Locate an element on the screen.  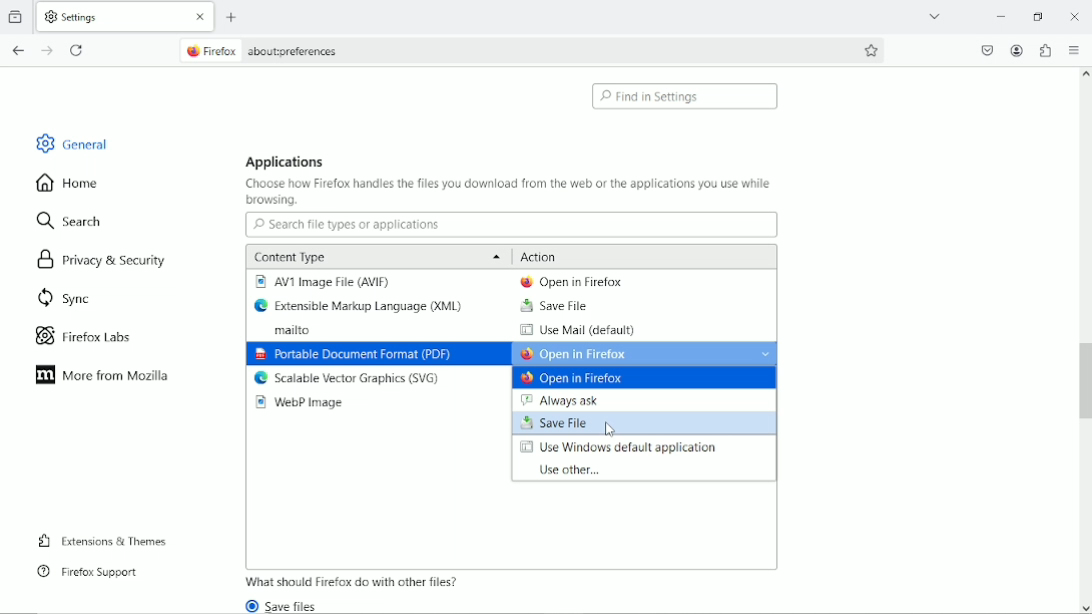
save to pocket is located at coordinates (986, 50).